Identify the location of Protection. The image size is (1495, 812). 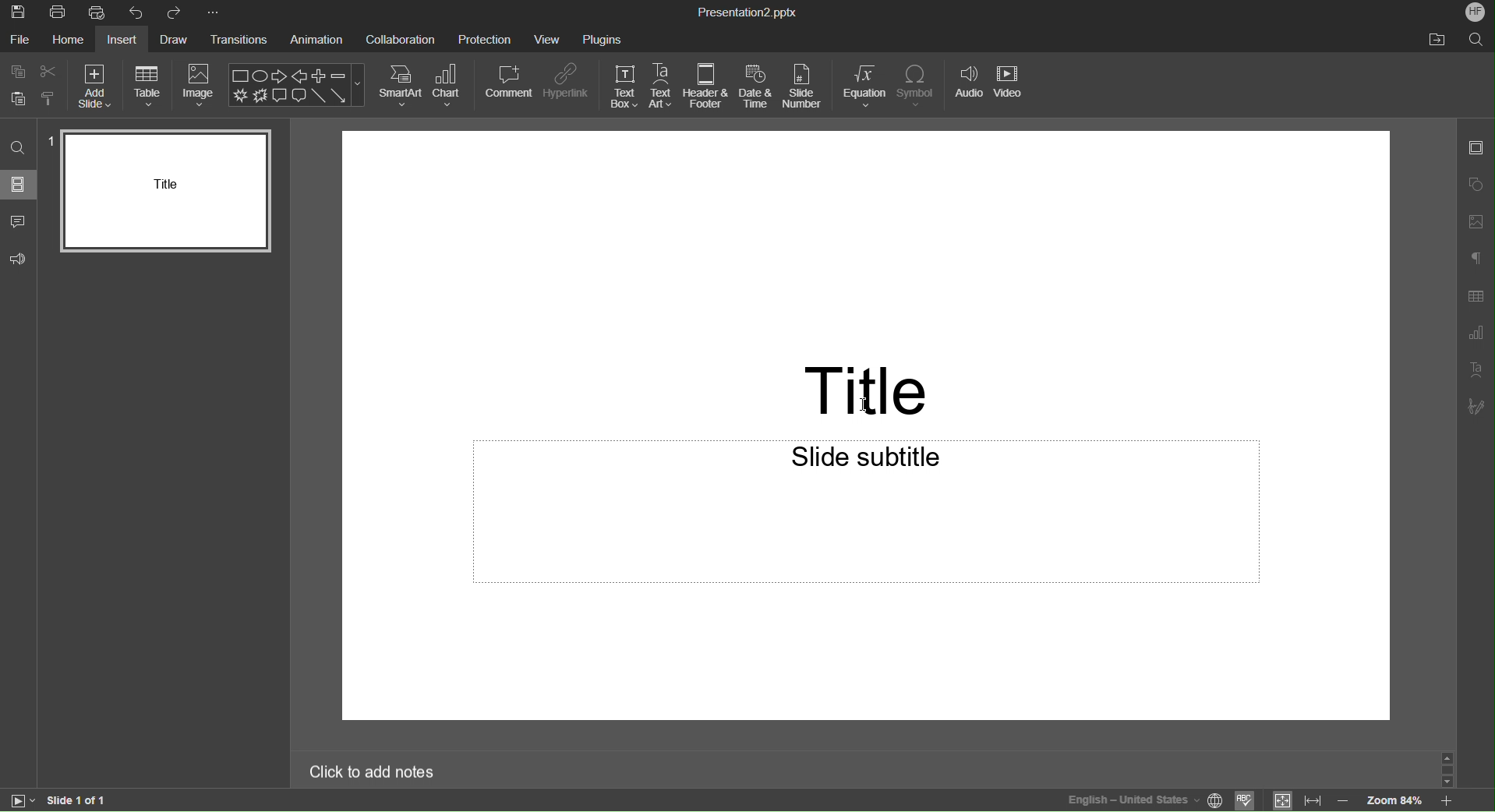
(486, 38).